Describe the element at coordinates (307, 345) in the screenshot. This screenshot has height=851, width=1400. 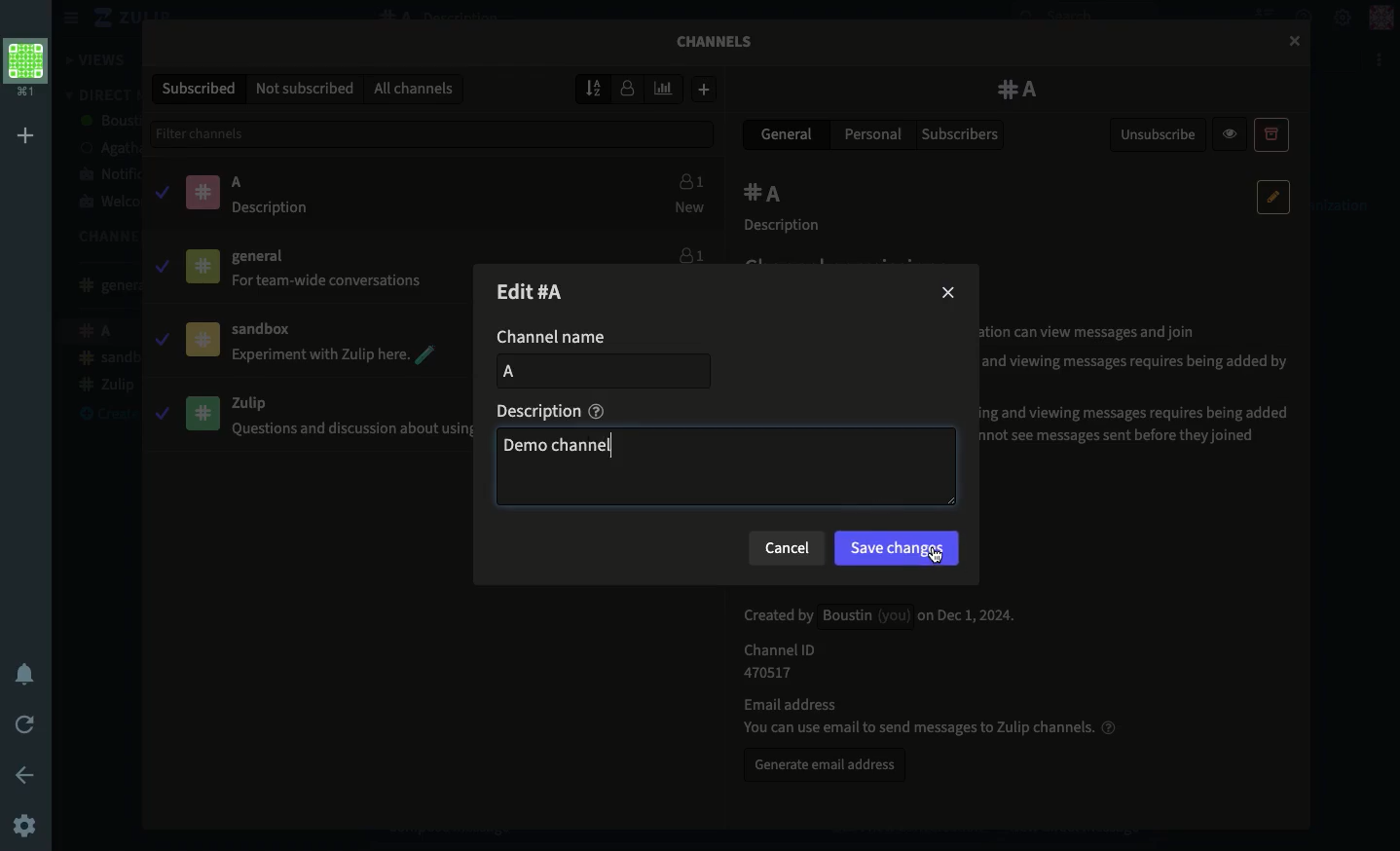
I see `Sandbox` at that location.